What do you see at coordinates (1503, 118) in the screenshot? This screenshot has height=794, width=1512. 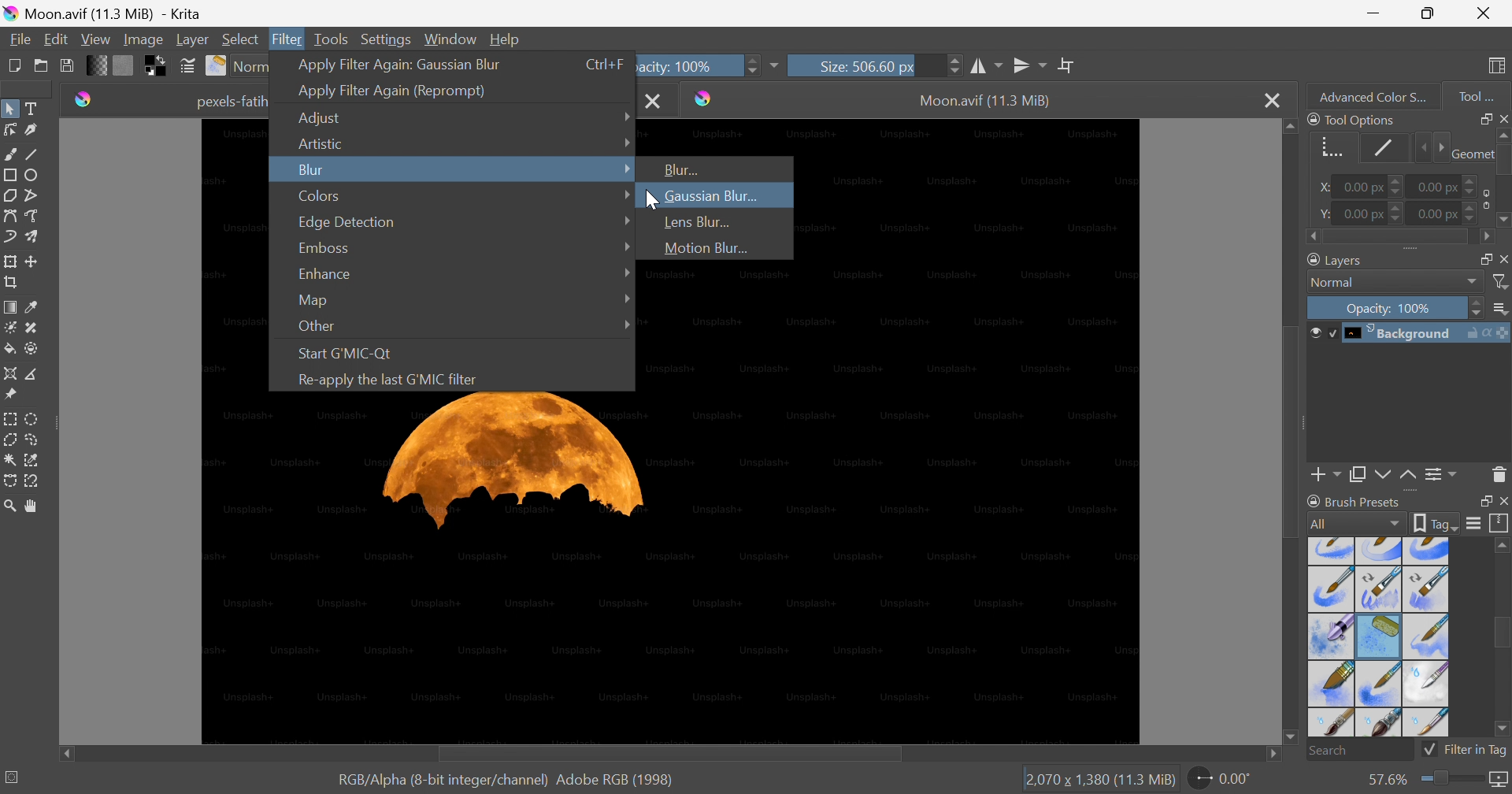 I see `Close` at bounding box center [1503, 118].